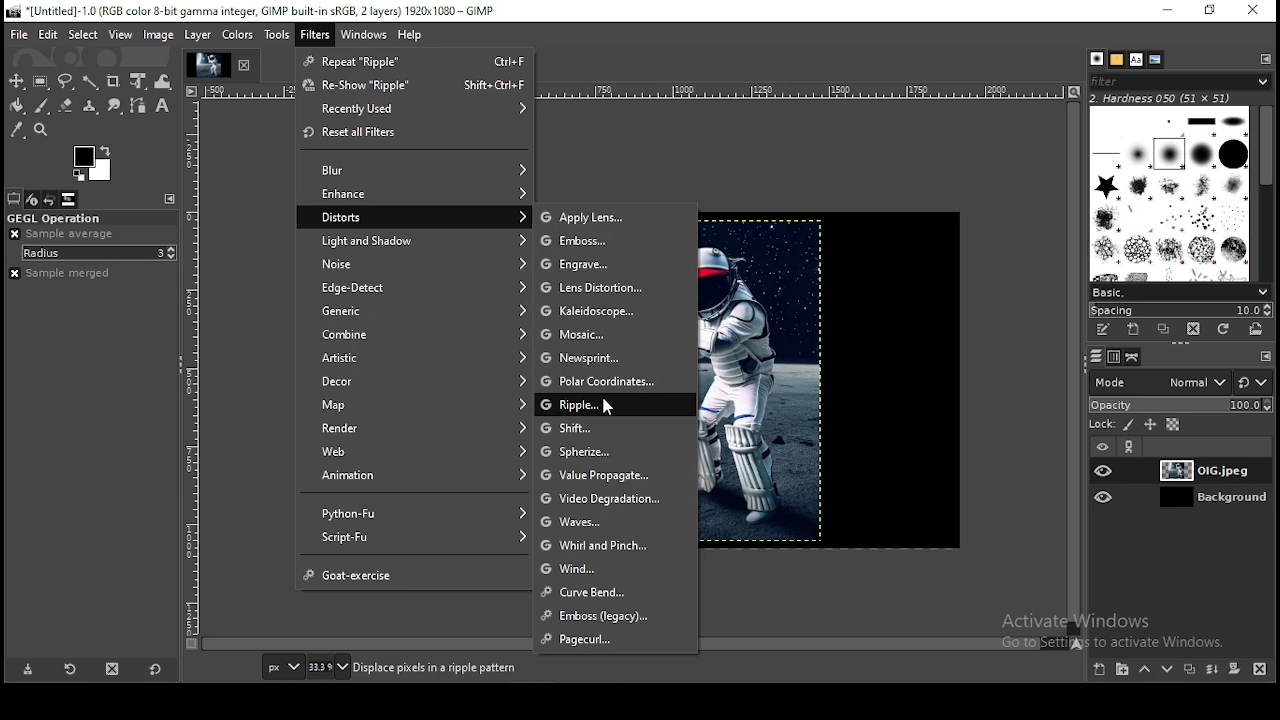 Image resolution: width=1280 pixels, height=720 pixels. Describe the element at coordinates (420, 427) in the screenshot. I see `render` at that location.